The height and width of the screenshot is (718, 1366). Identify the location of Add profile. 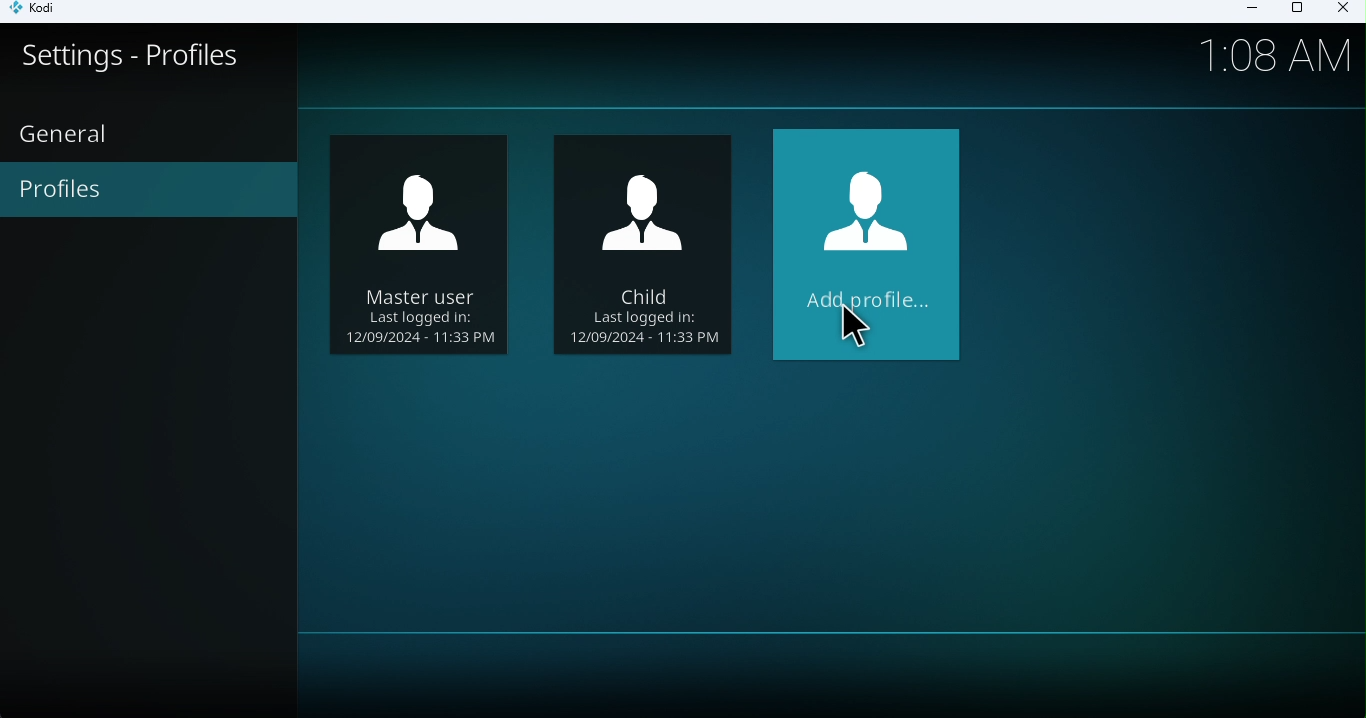
(872, 248).